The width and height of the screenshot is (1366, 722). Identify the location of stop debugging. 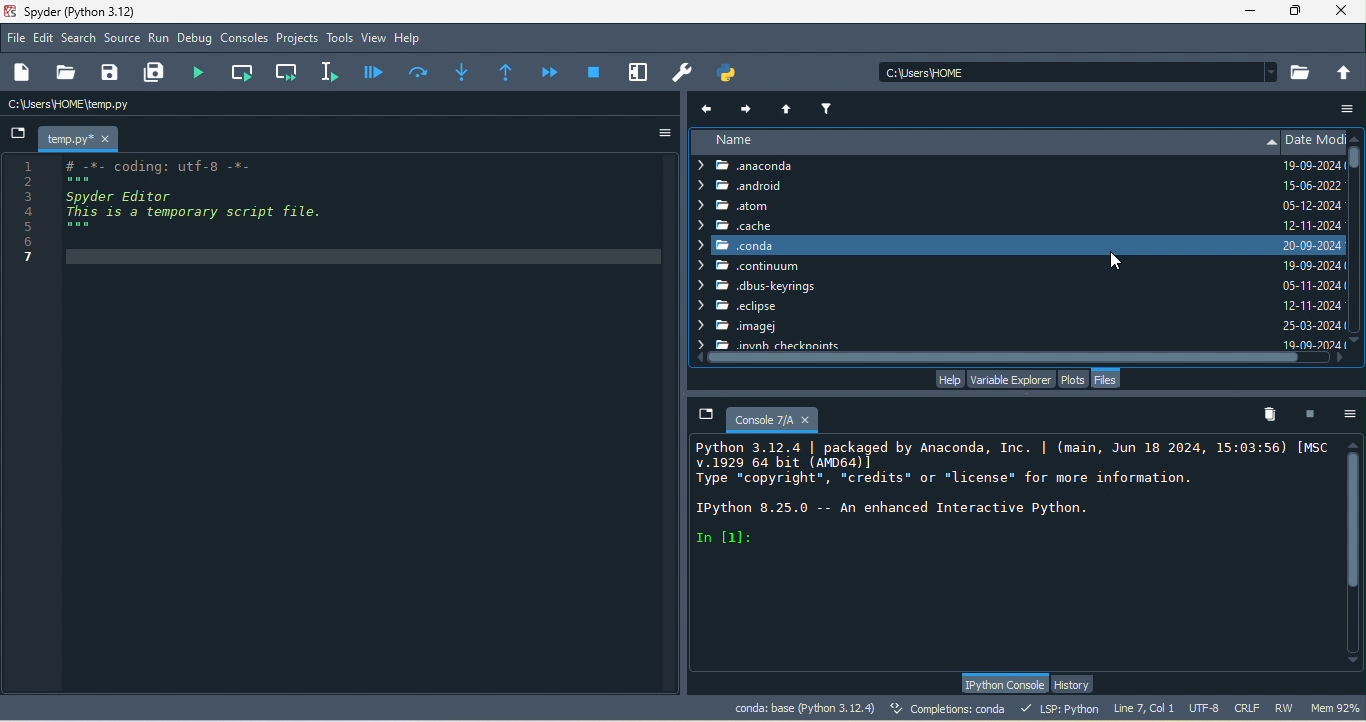
(594, 71).